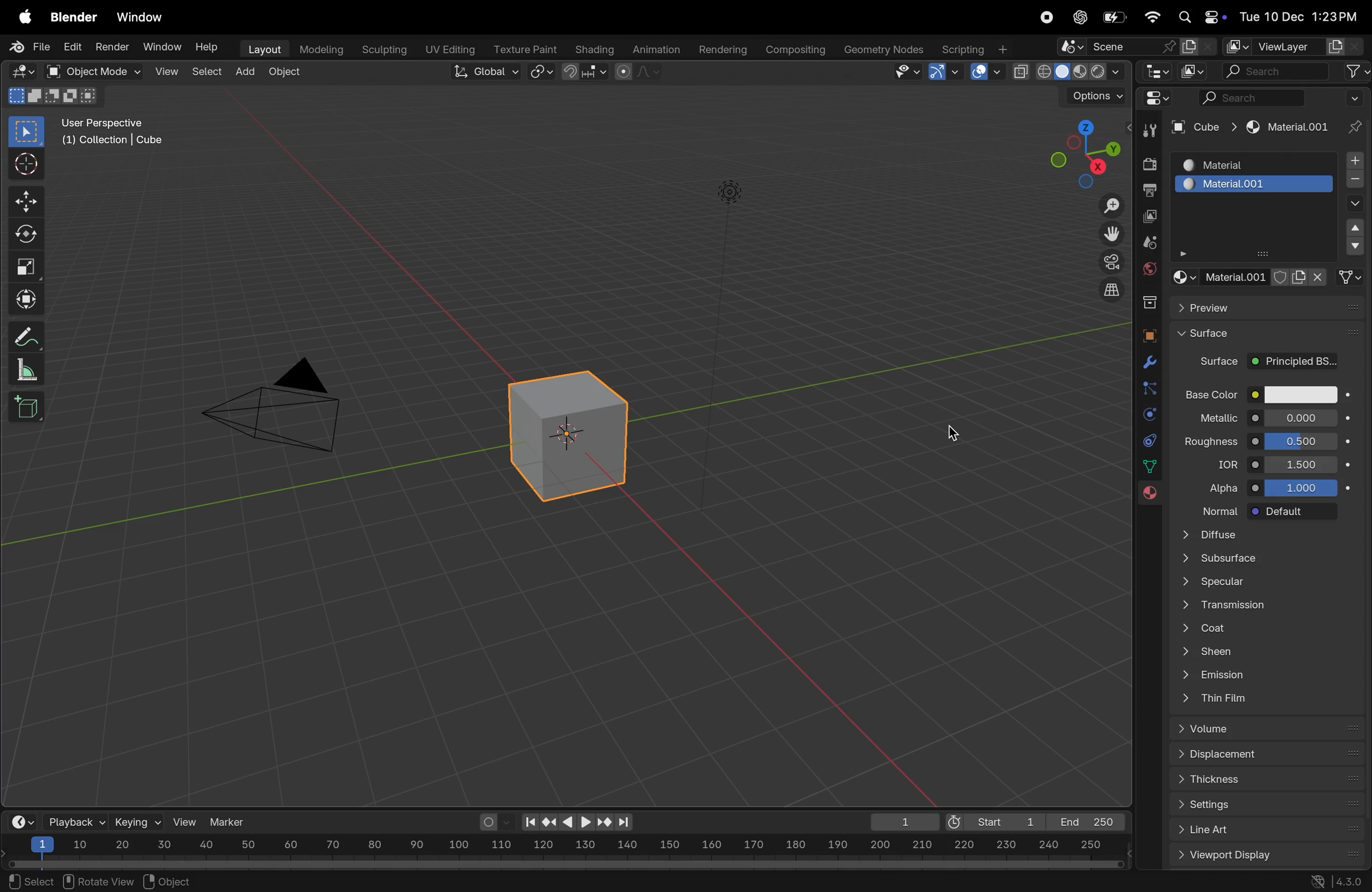 The image size is (1372, 892). I want to click on settings, so click(1272, 806).